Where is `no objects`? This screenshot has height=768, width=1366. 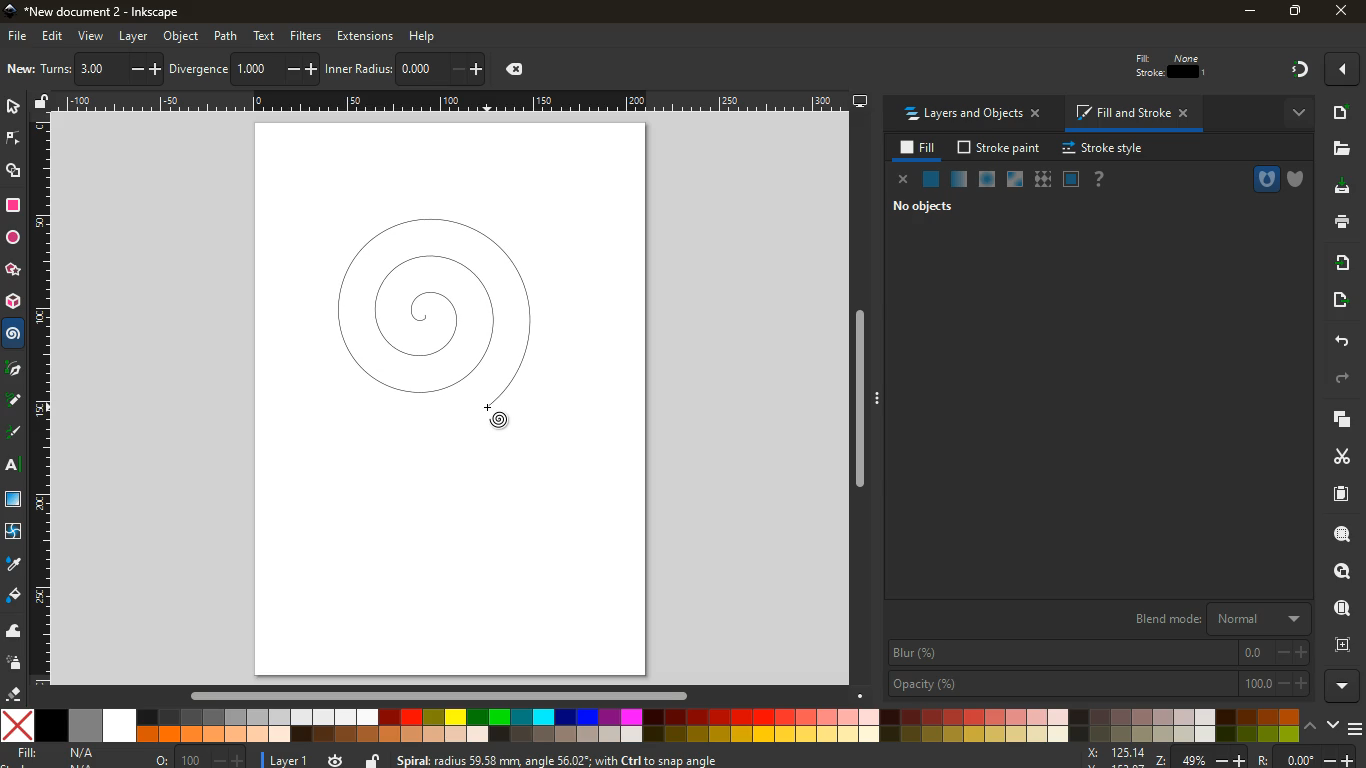 no objects is located at coordinates (915, 207).